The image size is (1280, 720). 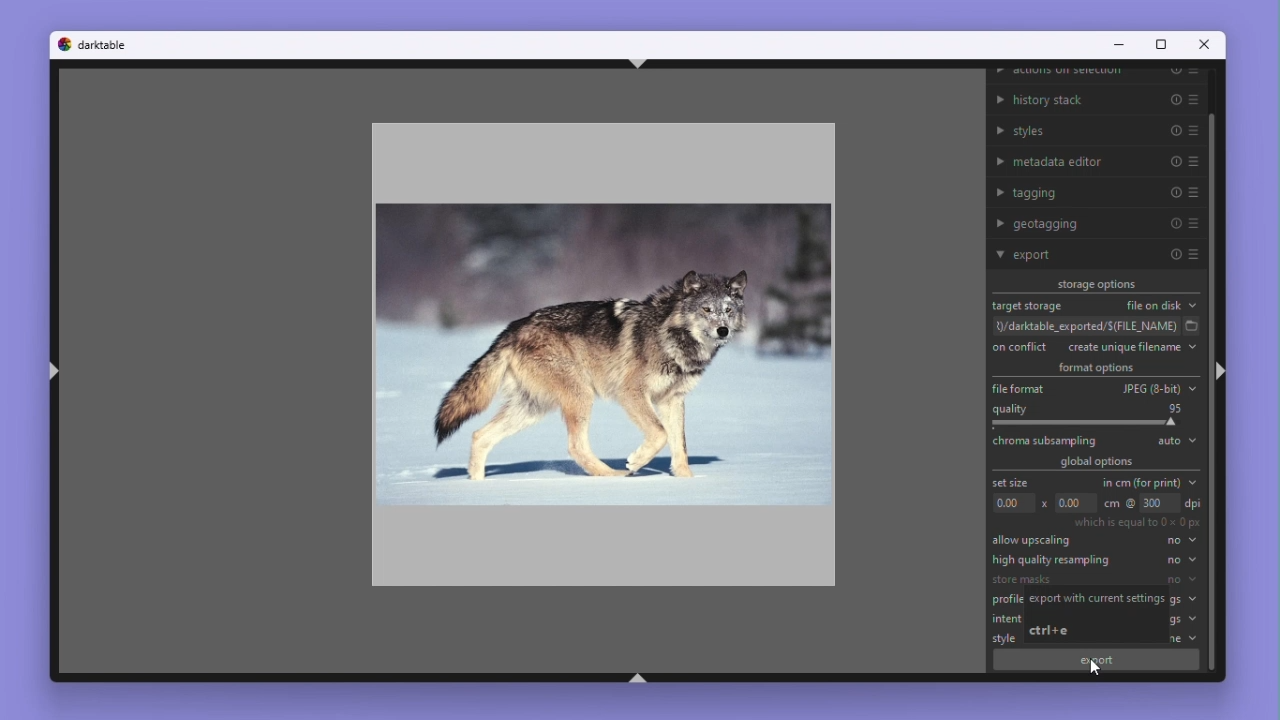 What do you see at coordinates (1085, 327) in the screenshot?
I see `File path` at bounding box center [1085, 327].